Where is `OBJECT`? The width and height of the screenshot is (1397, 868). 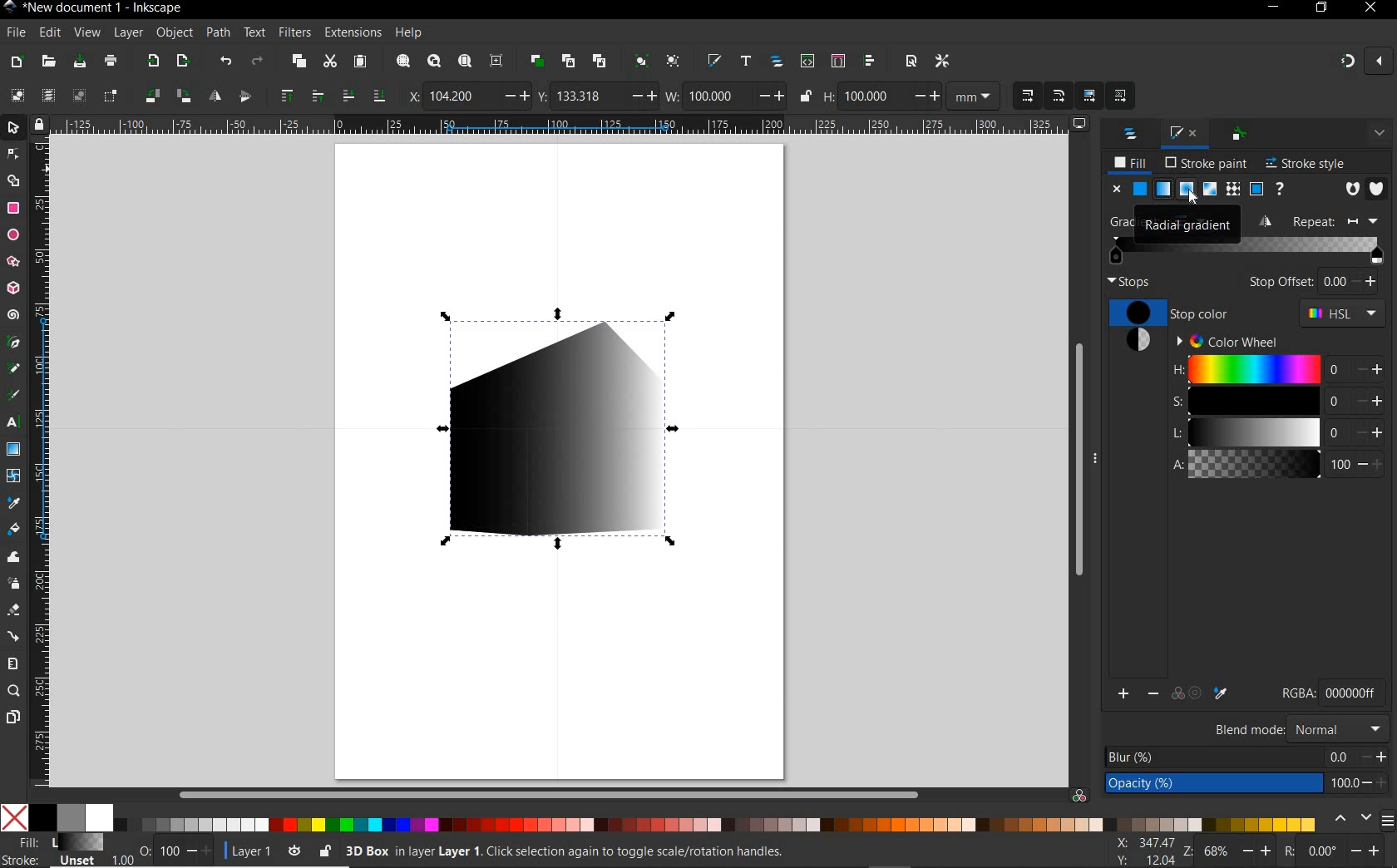 OBJECT is located at coordinates (176, 33).